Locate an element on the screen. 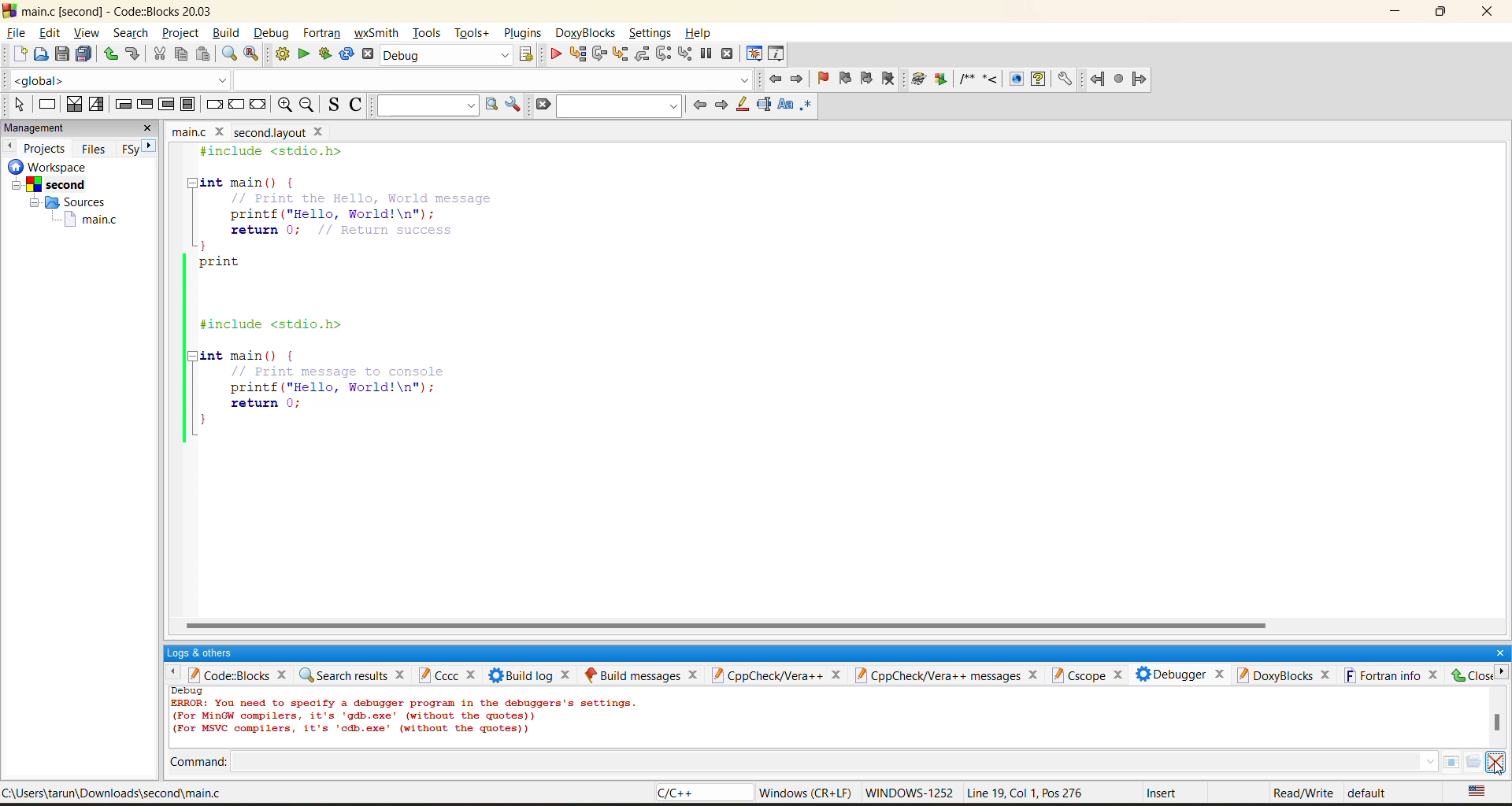  horizontal scroll bar is located at coordinates (724, 626).